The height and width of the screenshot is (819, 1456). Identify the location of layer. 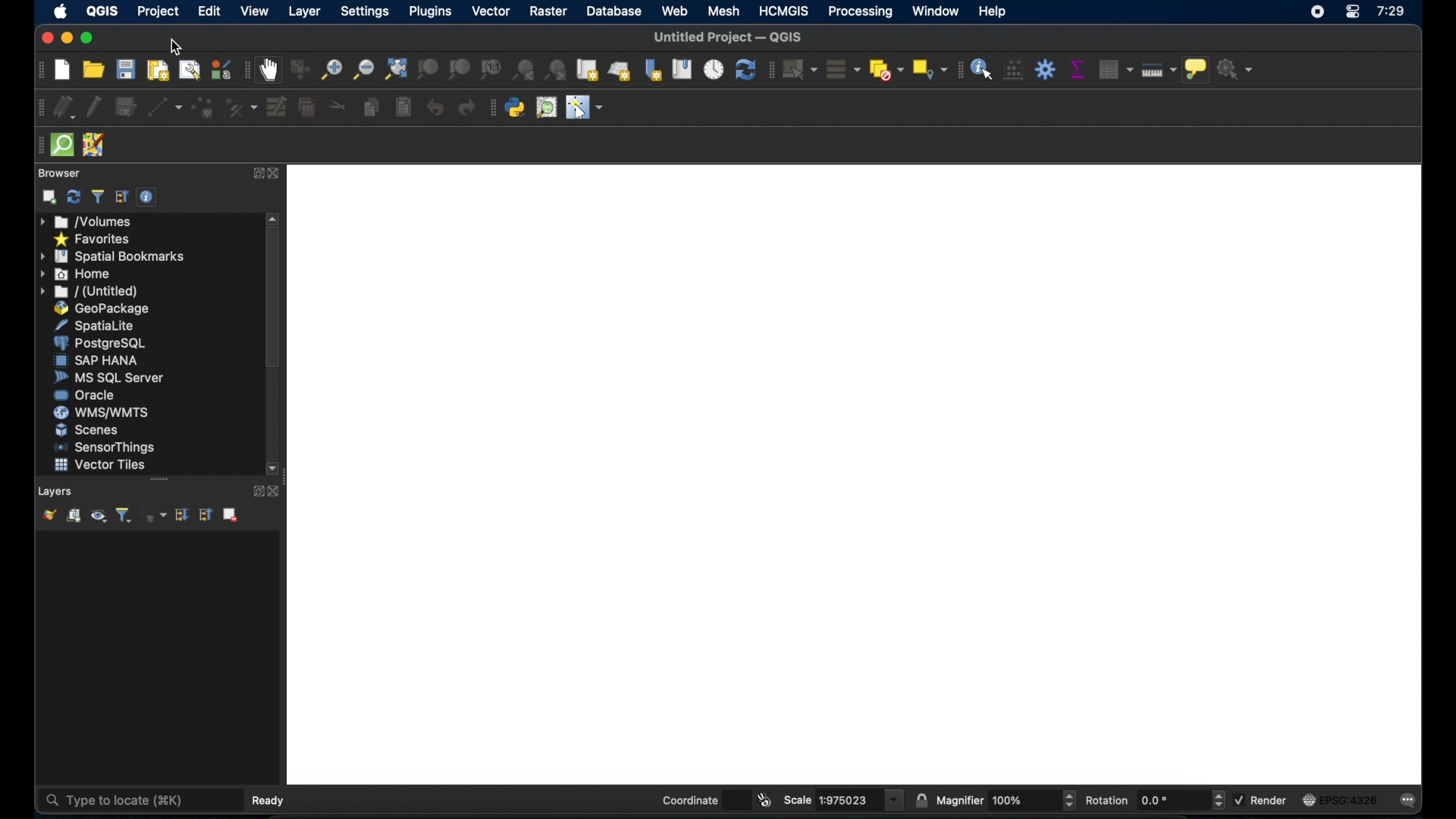
(303, 11).